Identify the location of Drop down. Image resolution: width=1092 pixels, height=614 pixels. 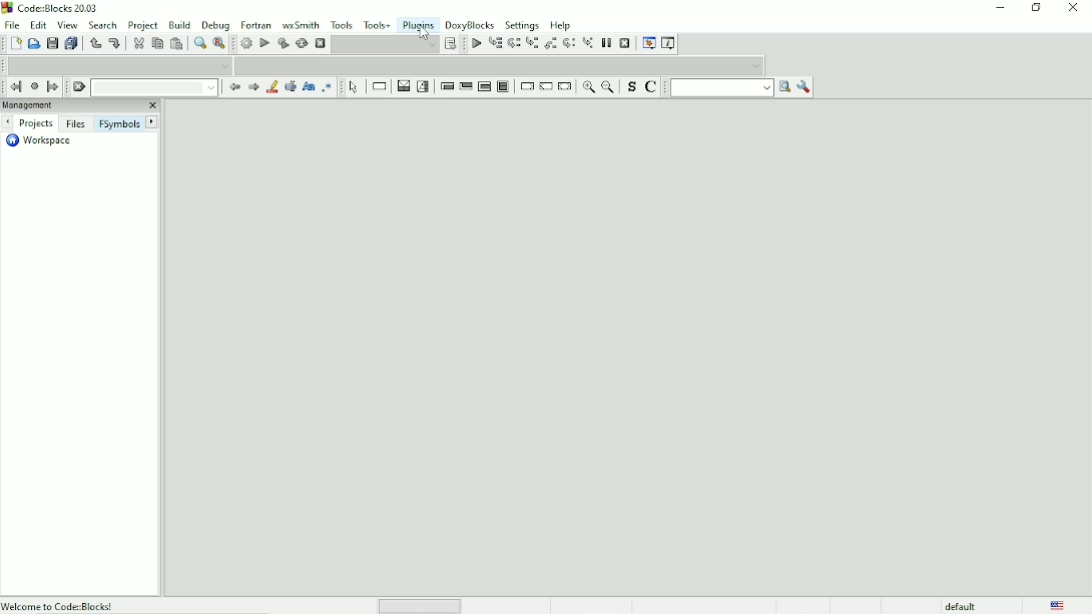
(385, 44).